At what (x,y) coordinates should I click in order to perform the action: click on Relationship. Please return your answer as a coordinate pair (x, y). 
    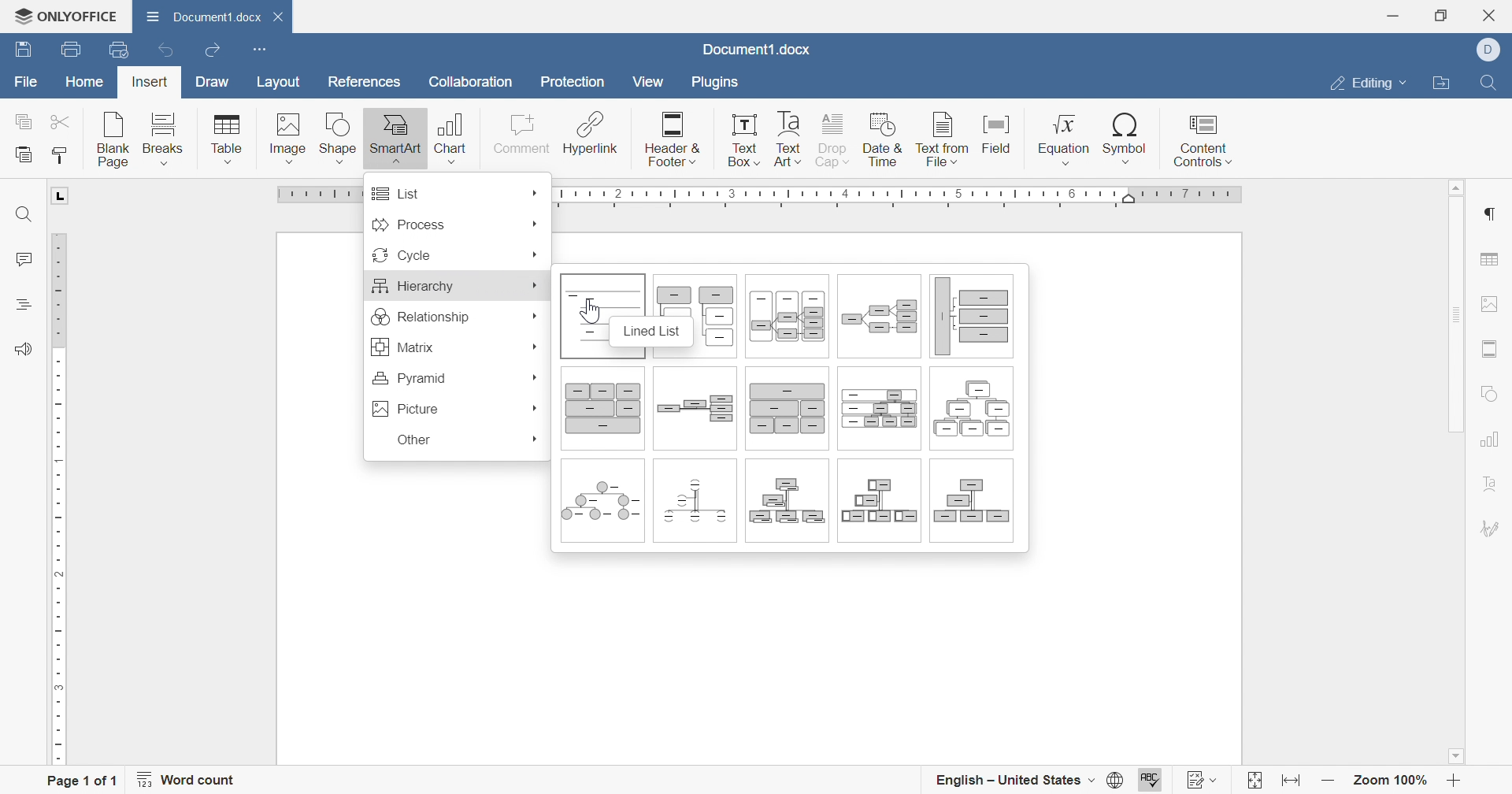
    Looking at the image, I should click on (420, 317).